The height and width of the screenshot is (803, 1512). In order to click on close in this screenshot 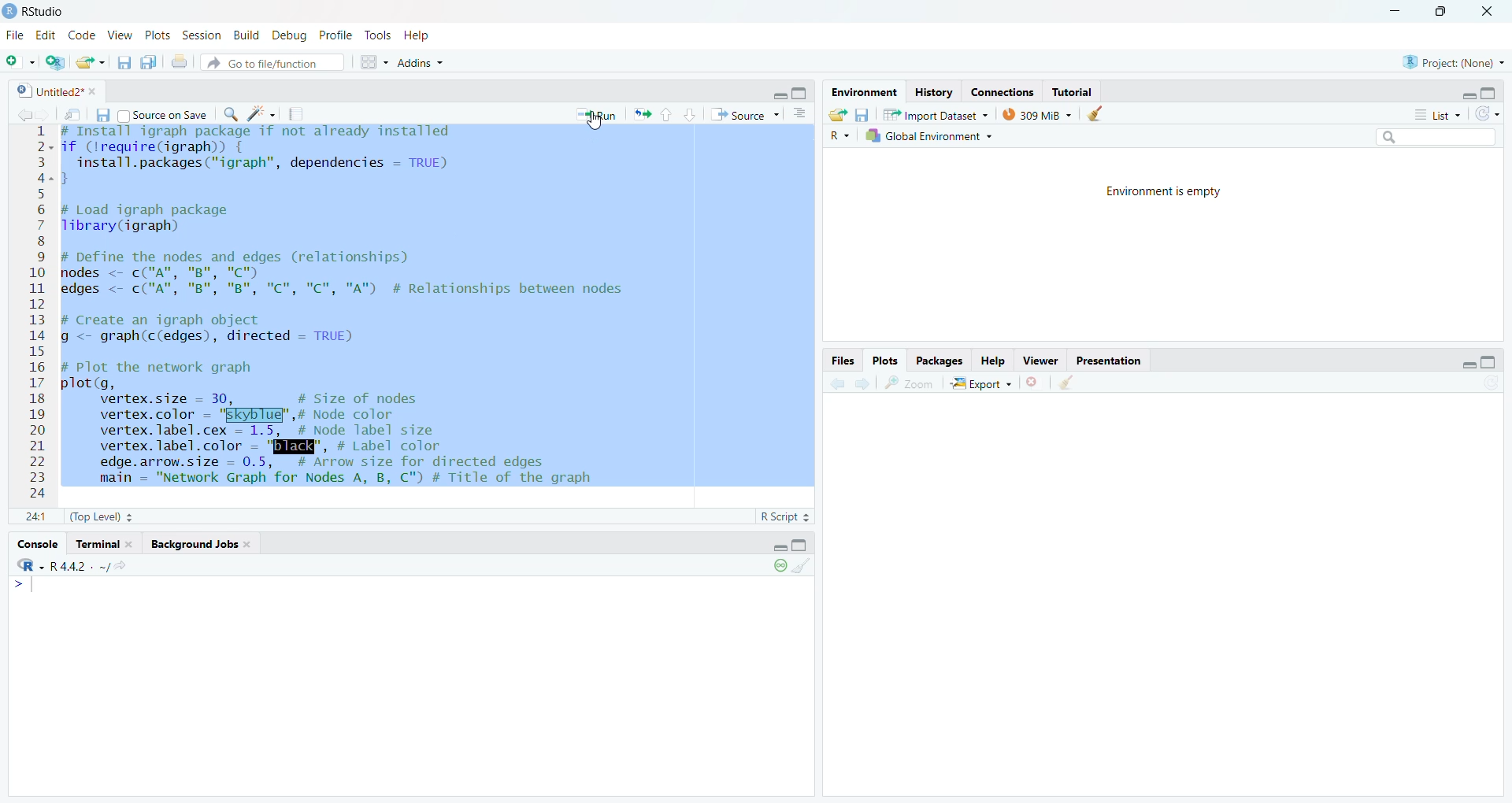, I will do `click(1493, 12)`.